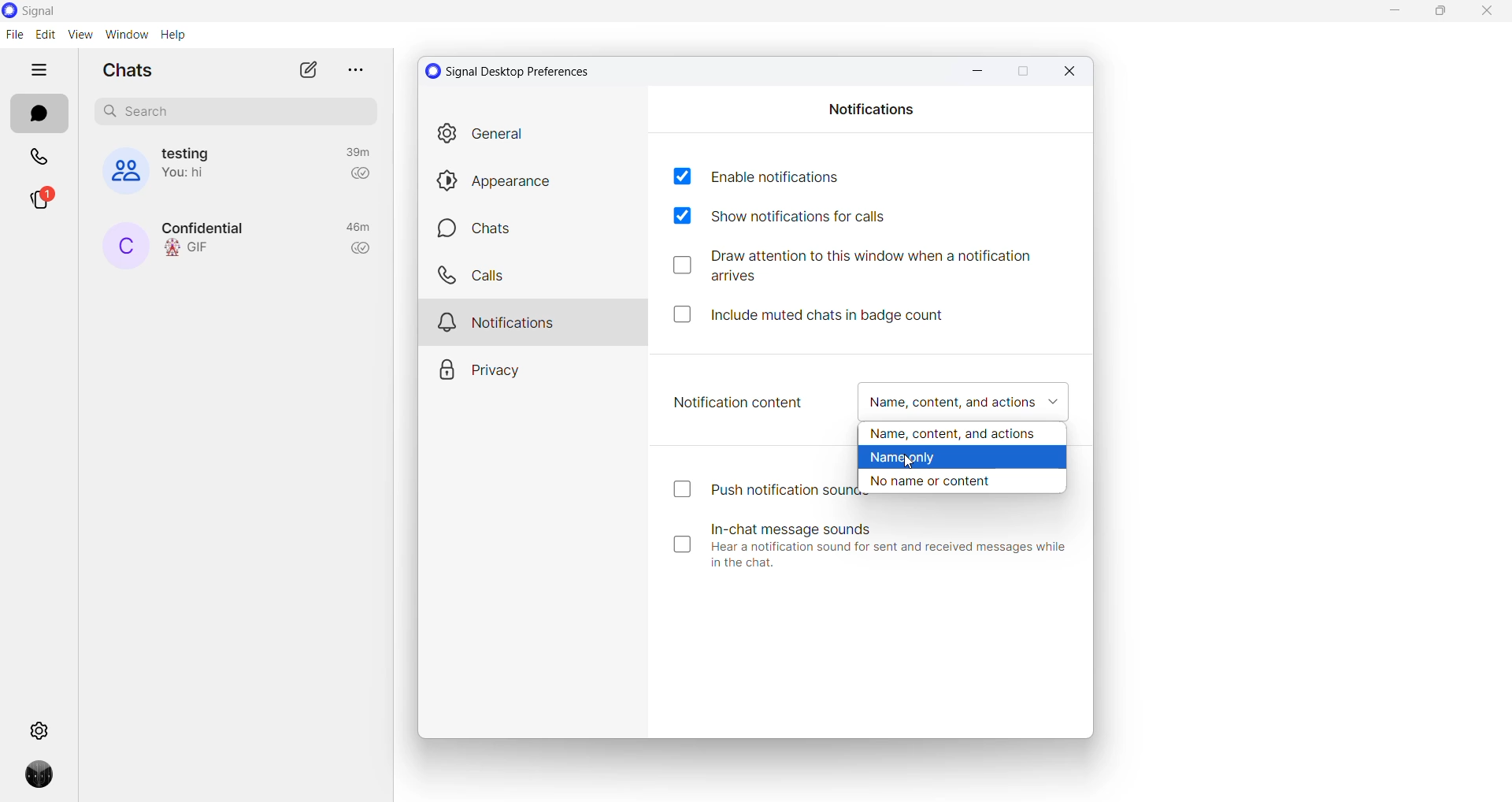 The image size is (1512, 802). What do you see at coordinates (973, 69) in the screenshot?
I see `Minimize` at bounding box center [973, 69].